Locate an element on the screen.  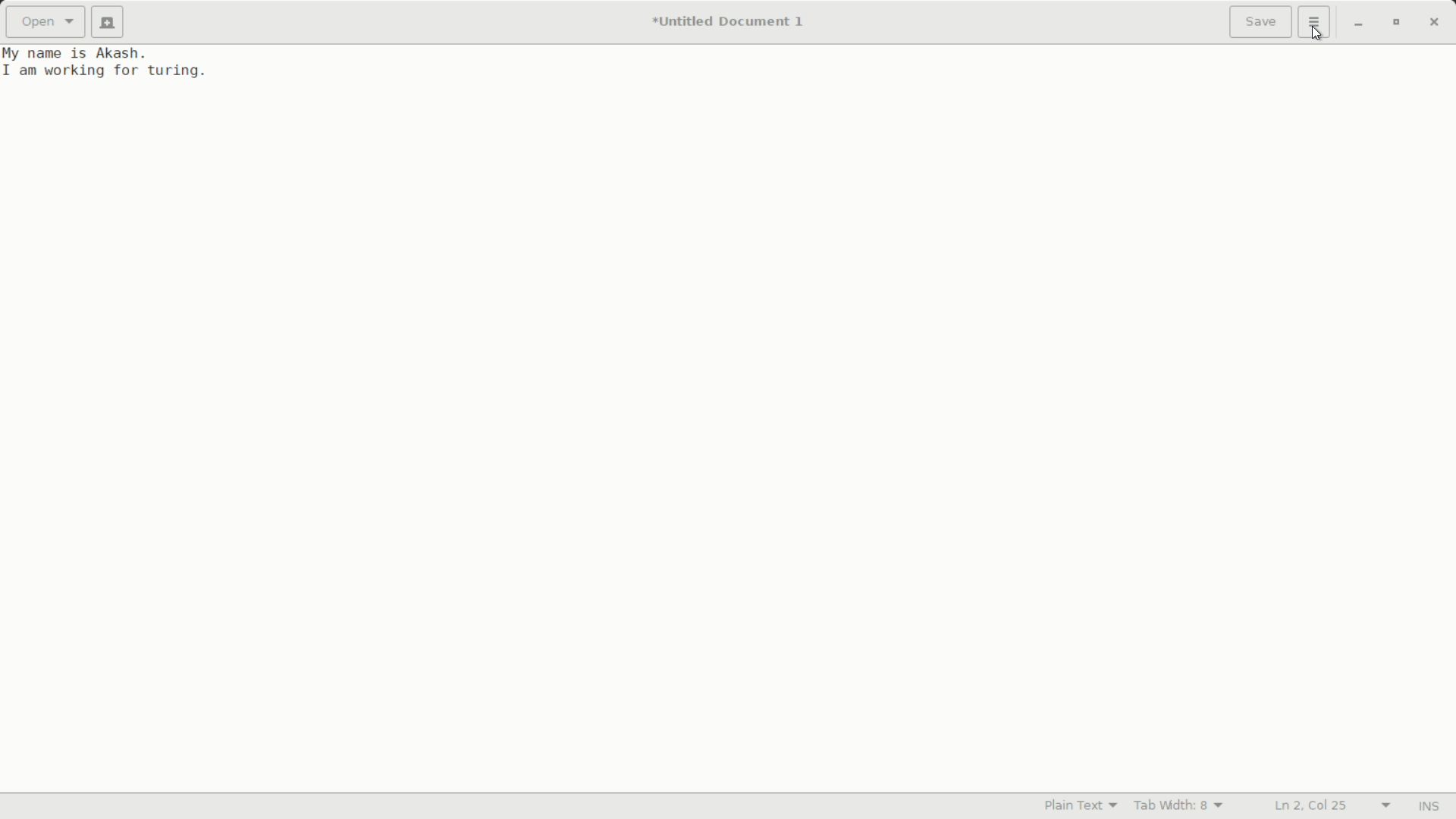
My name is Akash. is located at coordinates (77, 53).